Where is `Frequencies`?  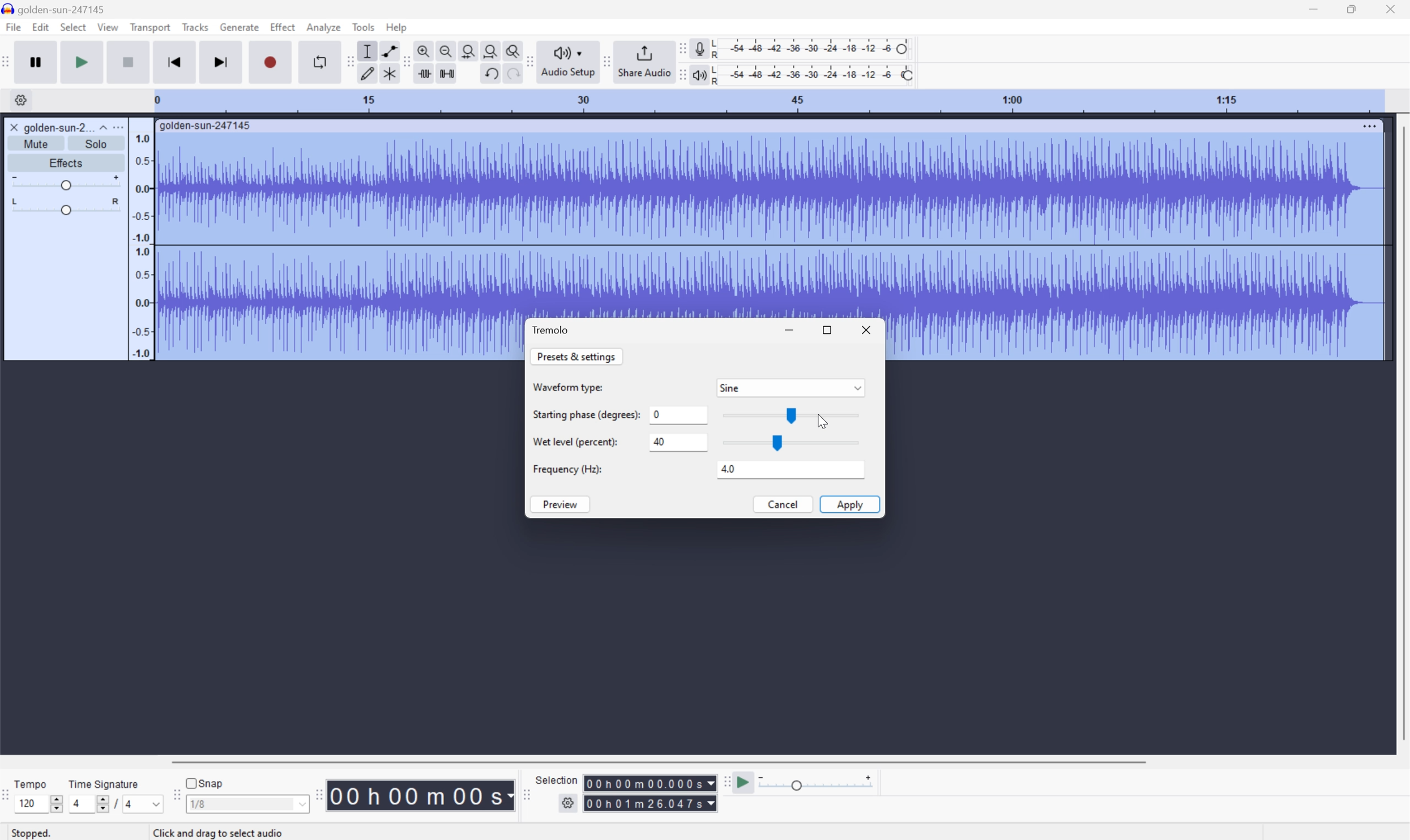 Frequencies is located at coordinates (141, 246).